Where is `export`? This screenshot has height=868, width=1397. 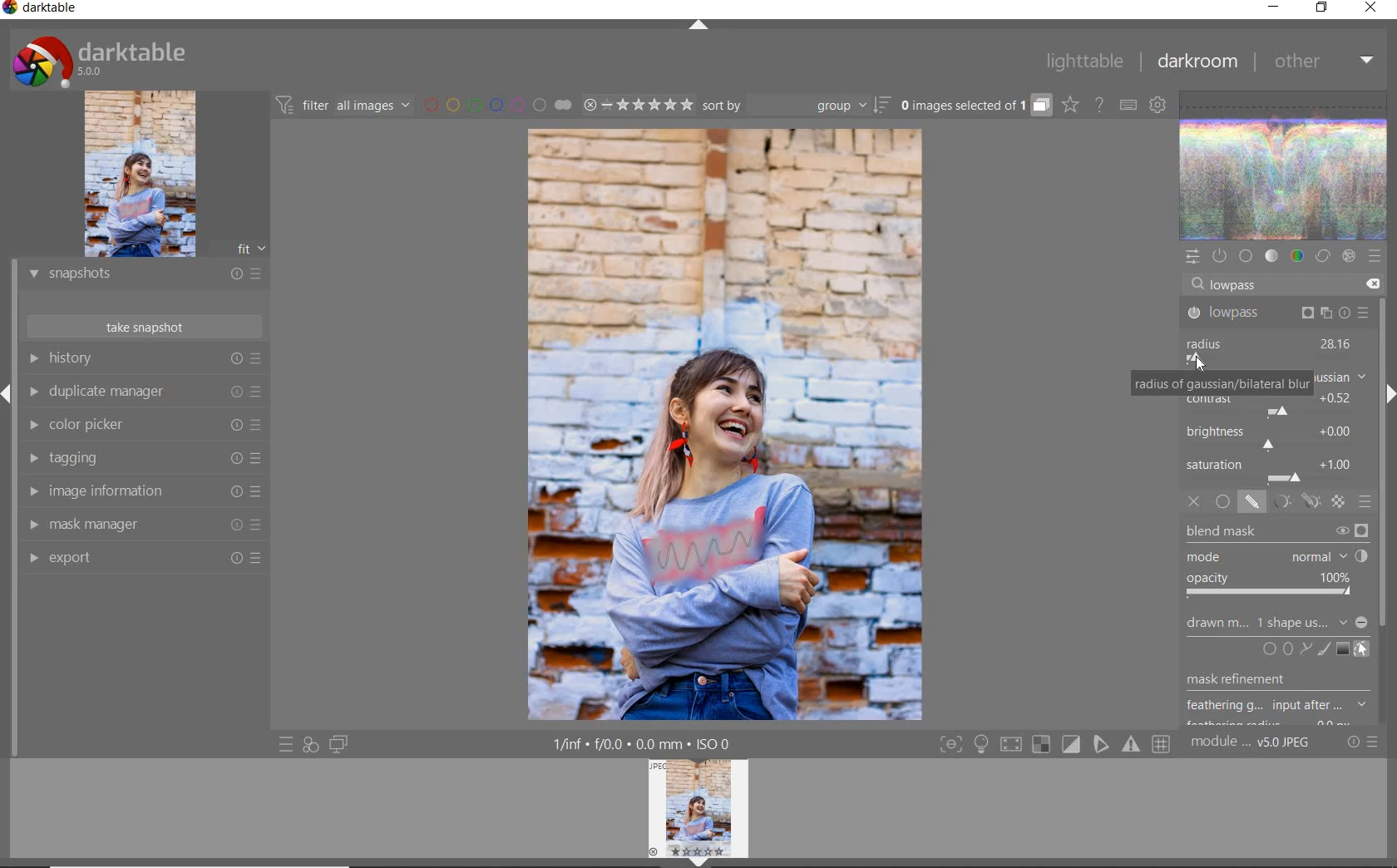
export is located at coordinates (146, 558).